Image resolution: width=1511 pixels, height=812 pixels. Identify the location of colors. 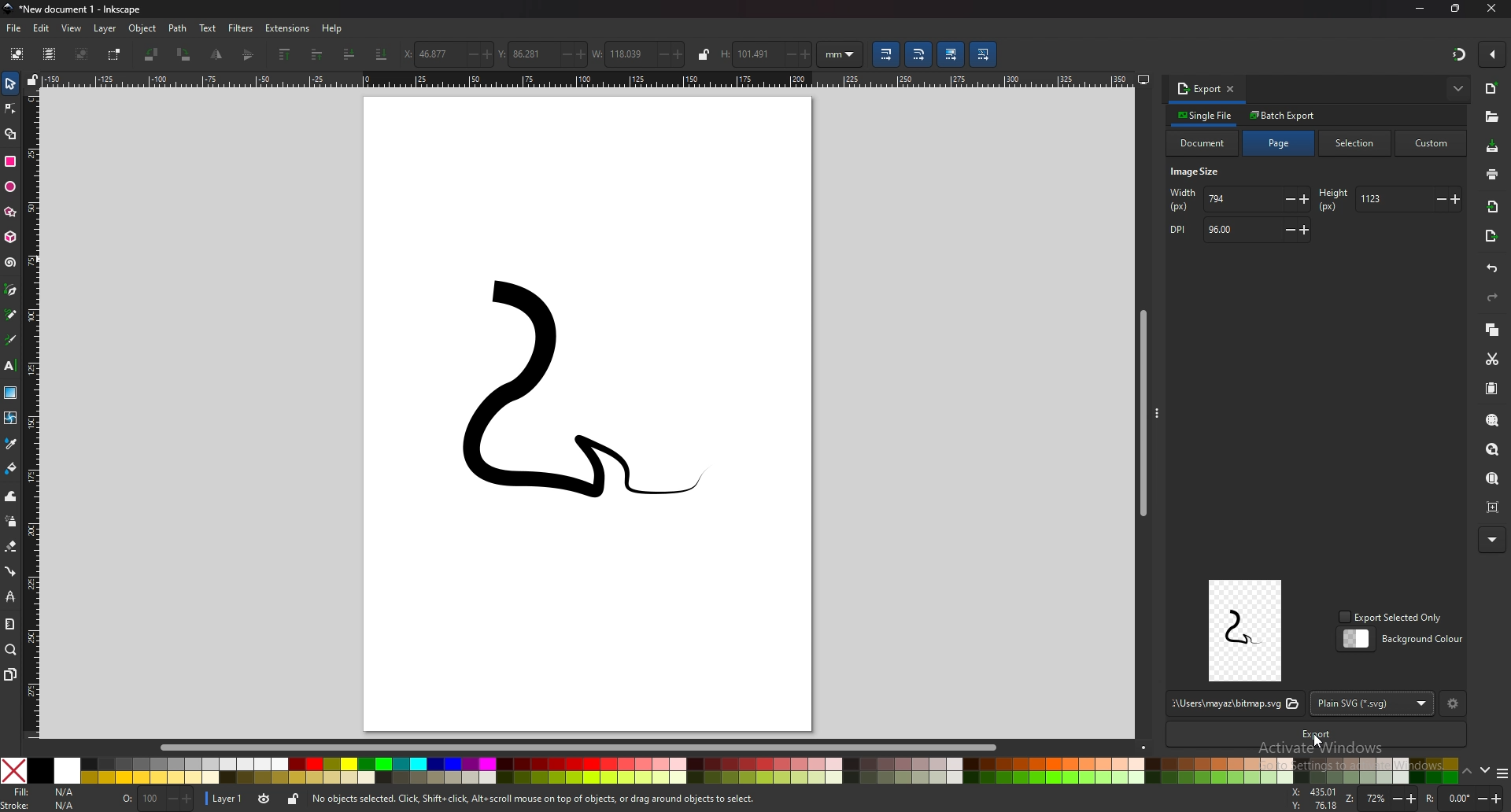
(730, 770).